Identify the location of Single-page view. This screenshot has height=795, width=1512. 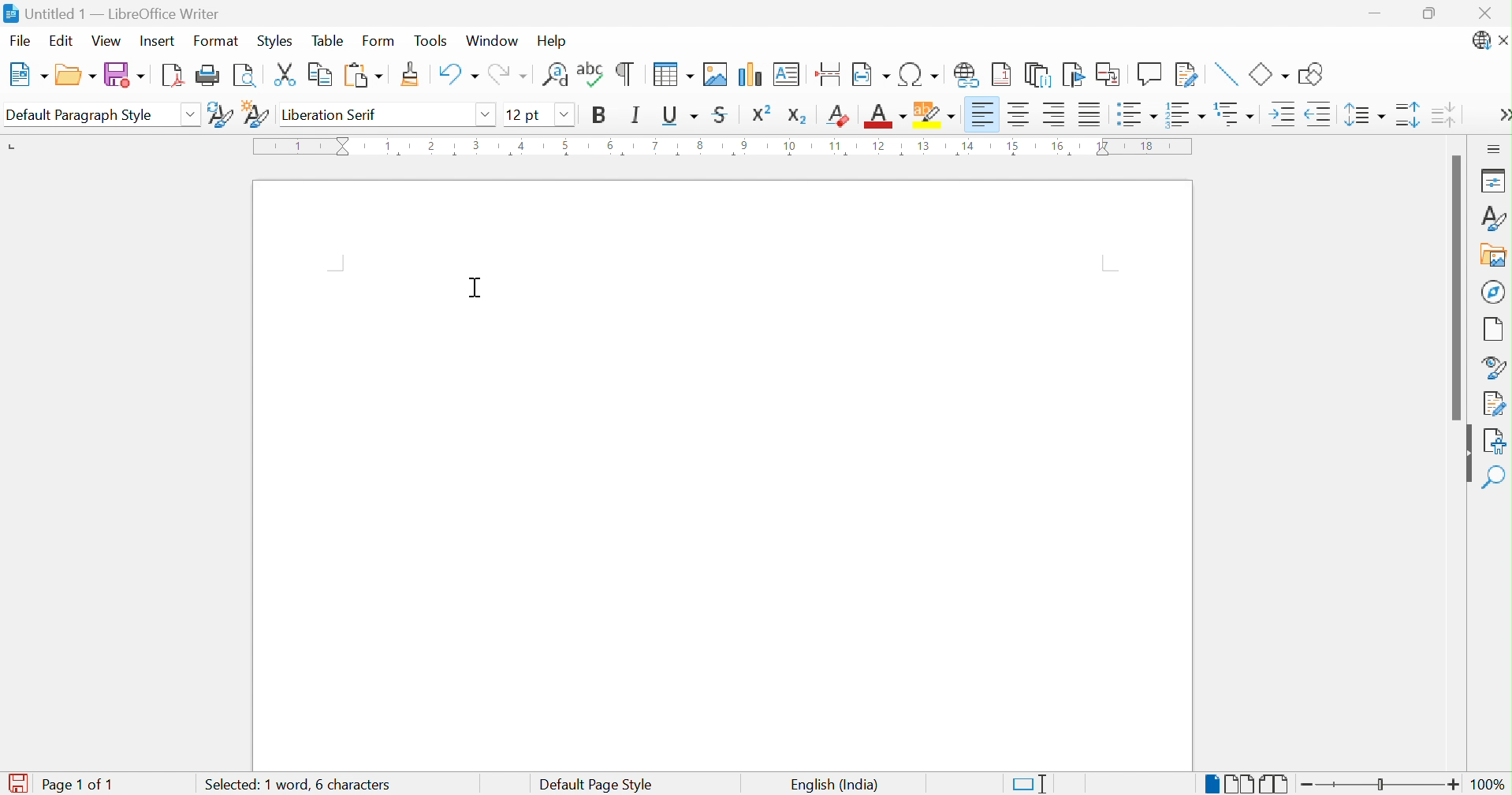
(1211, 786).